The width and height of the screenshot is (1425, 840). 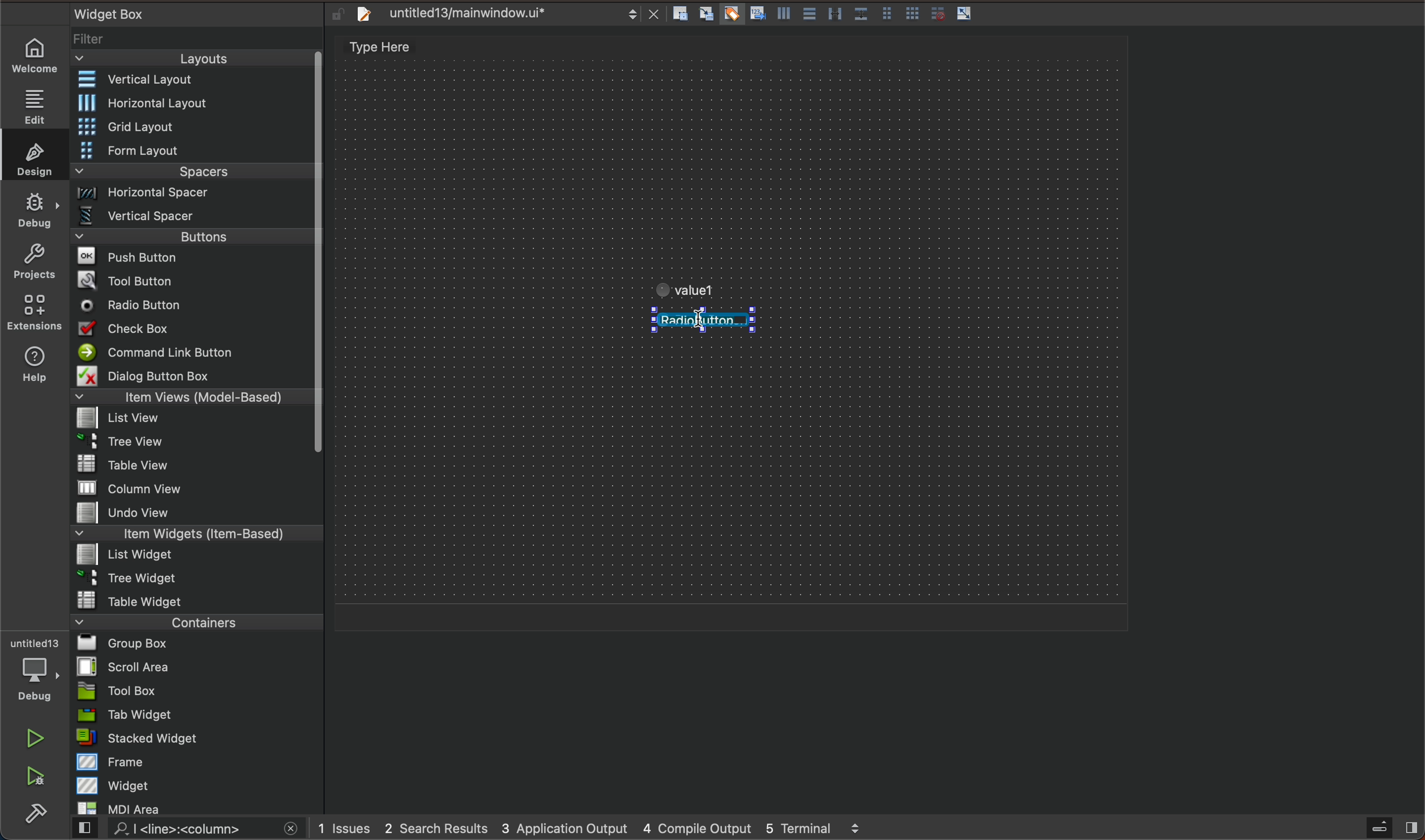 I want to click on , so click(x=913, y=15).